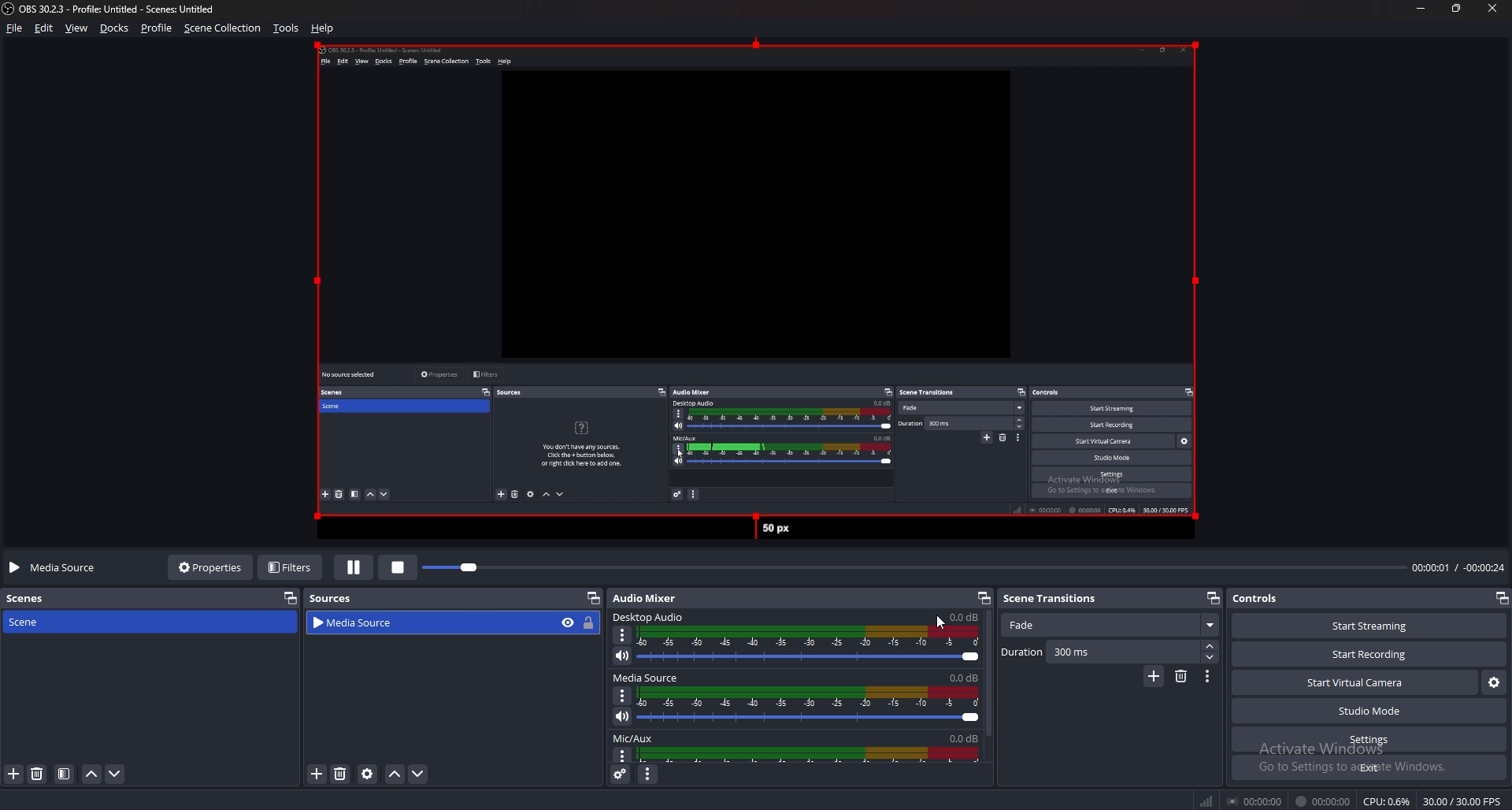 The width and height of the screenshot is (1512, 810). Describe the element at coordinates (1354, 682) in the screenshot. I see `Start virtual camera` at that location.